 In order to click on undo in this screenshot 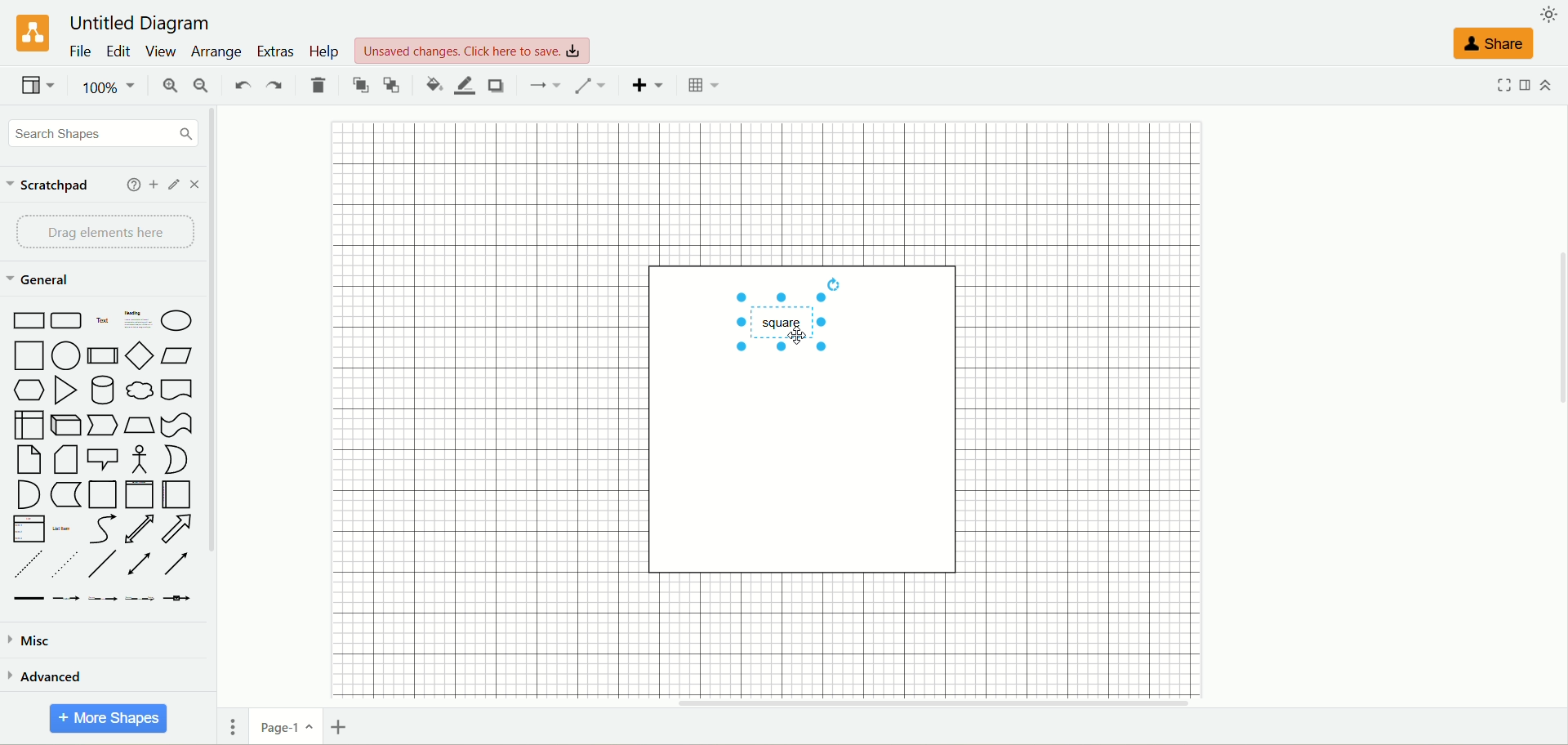, I will do `click(241, 87)`.